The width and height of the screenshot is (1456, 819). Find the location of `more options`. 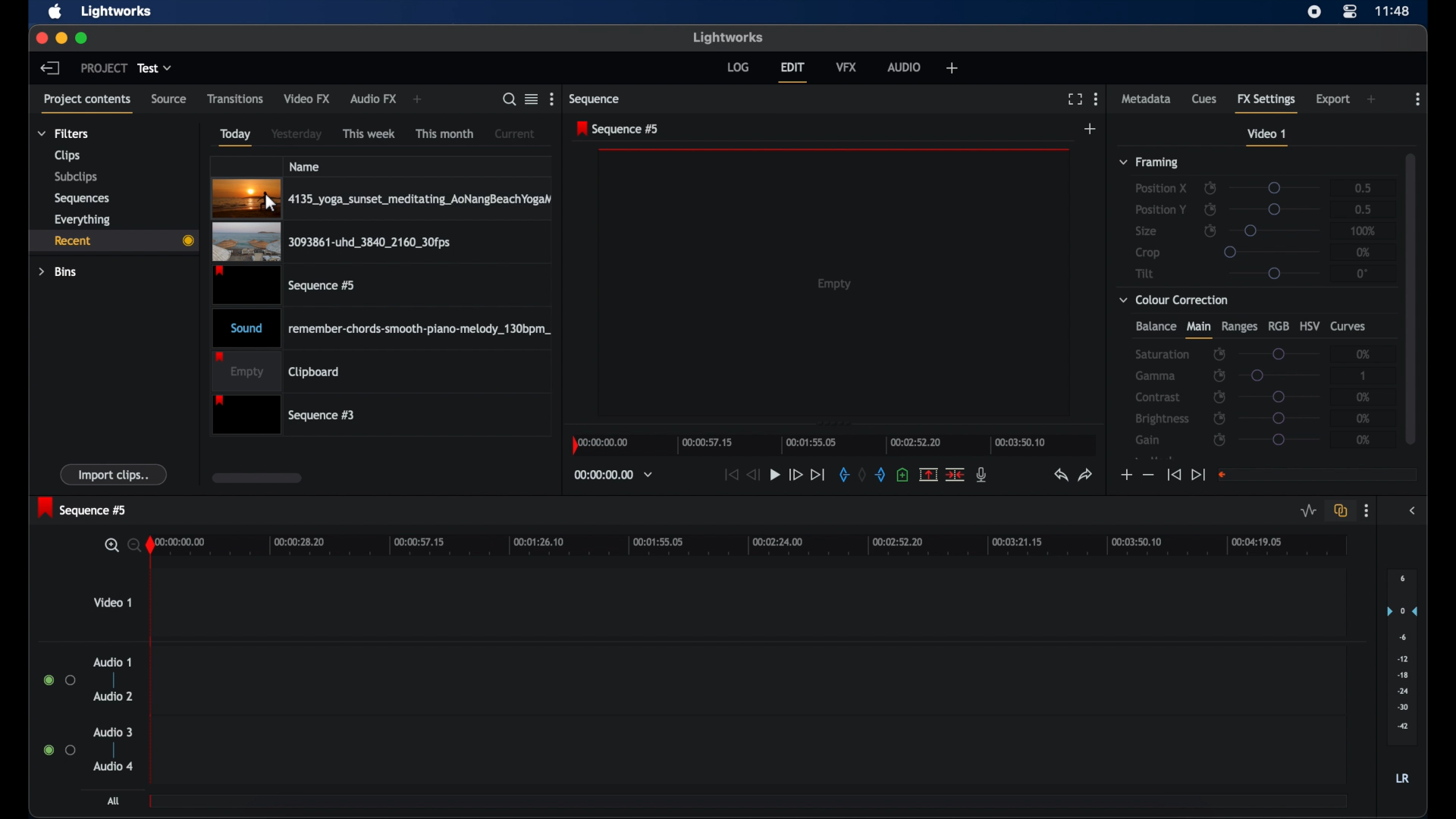

more options is located at coordinates (551, 99).